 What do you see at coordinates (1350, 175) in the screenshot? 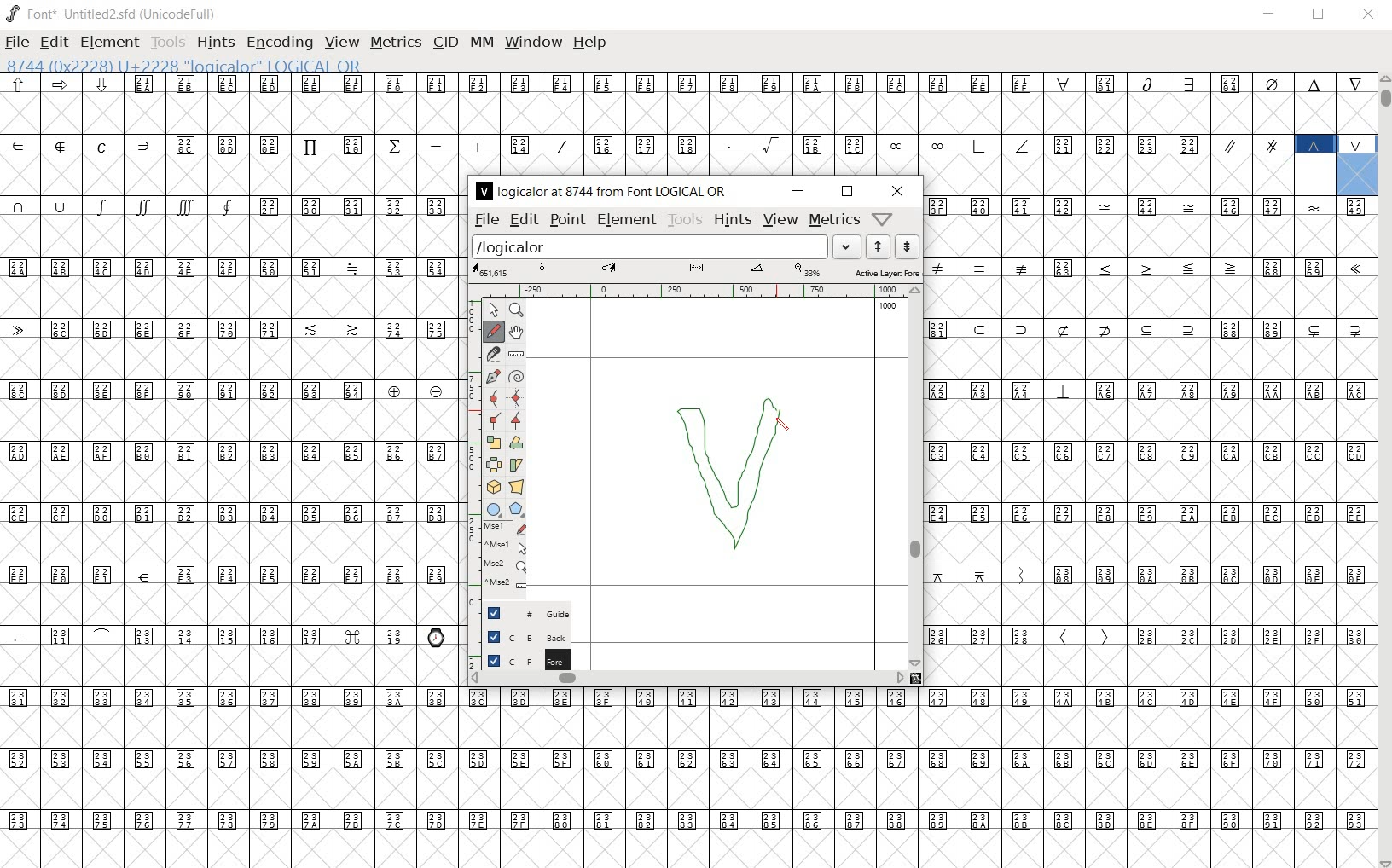
I see `8744 (0x2228) U+2228 "logicalor" LOGICAL OR` at bounding box center [1350, 175].